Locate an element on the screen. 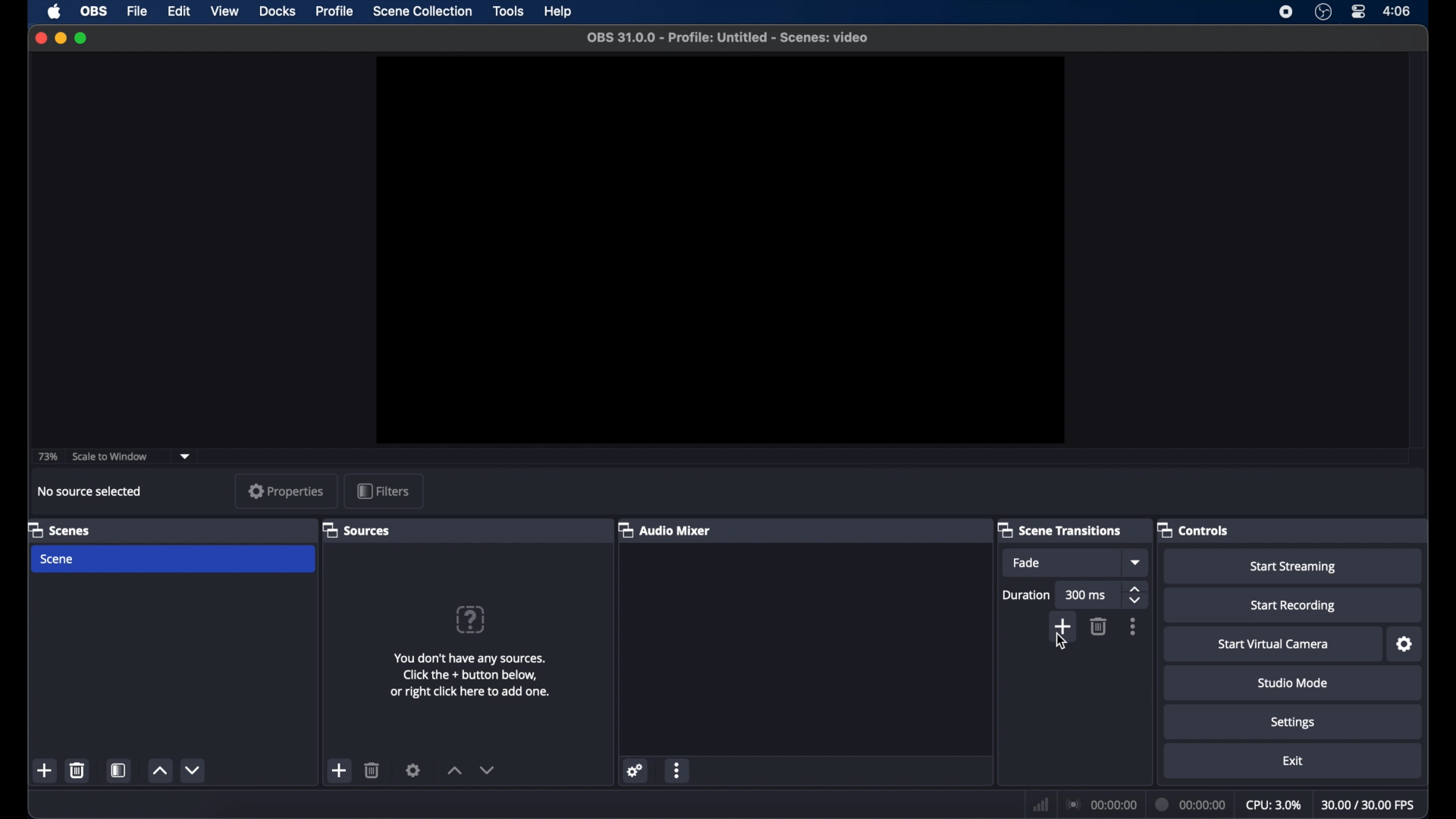  stepper button is located at coordinates (1137, 595).